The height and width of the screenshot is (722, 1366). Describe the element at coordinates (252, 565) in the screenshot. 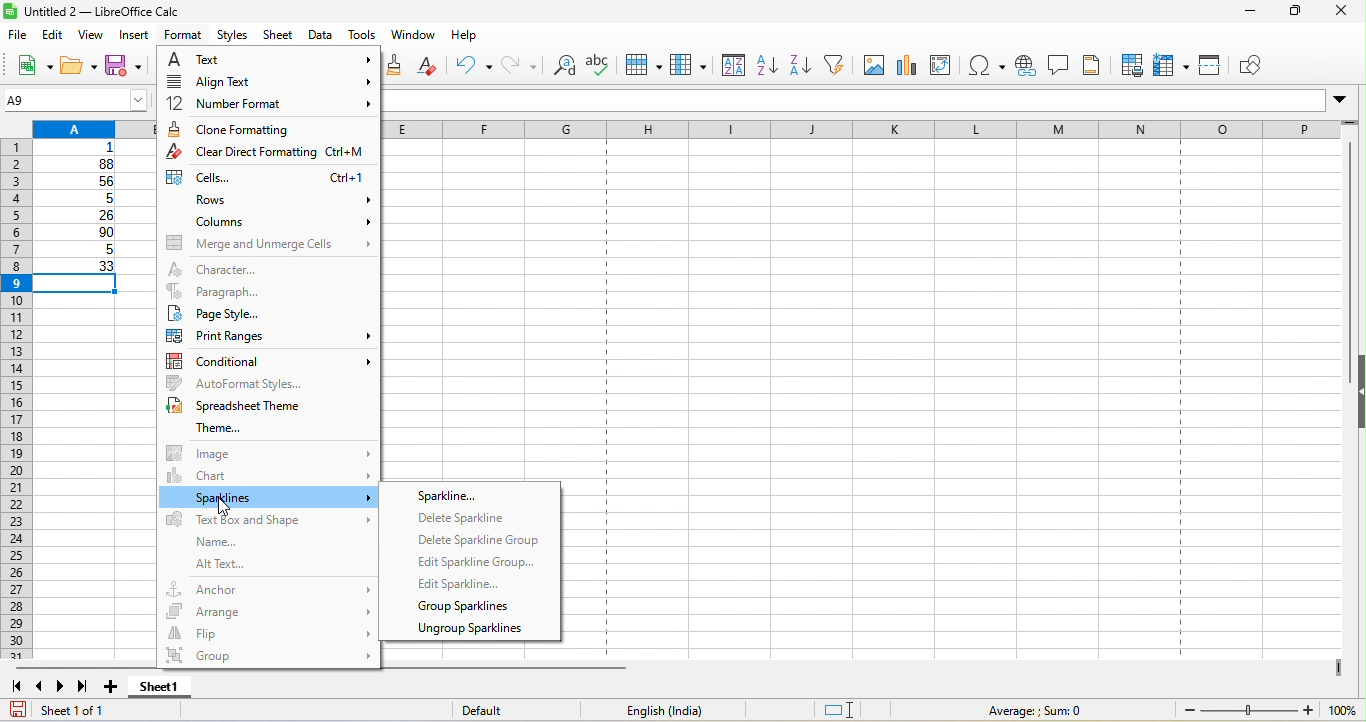

I see `alt text` at that location.